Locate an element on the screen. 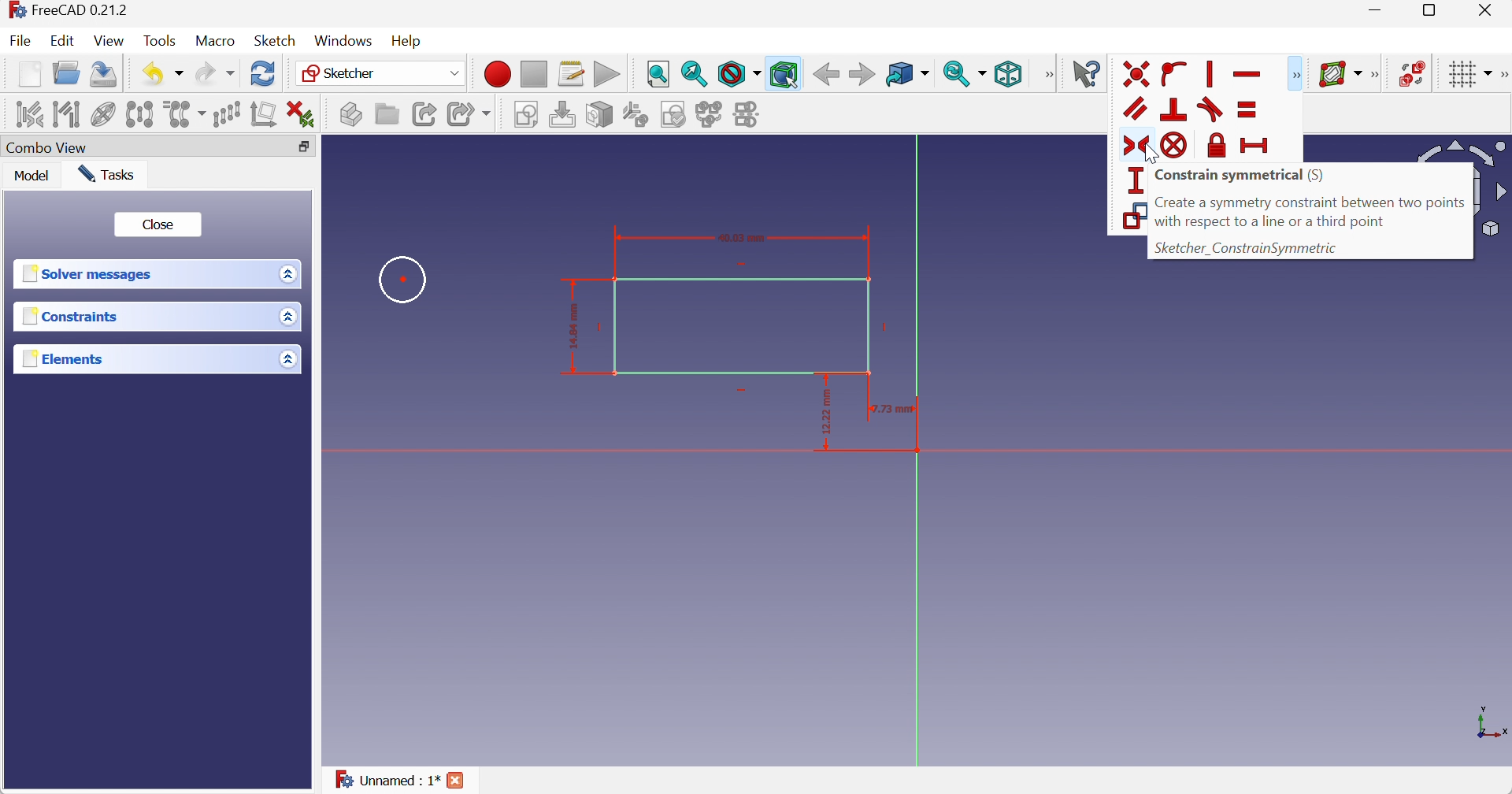 This screenshot has width=1512, height=794. Forward is located at coordinates (862, 75).